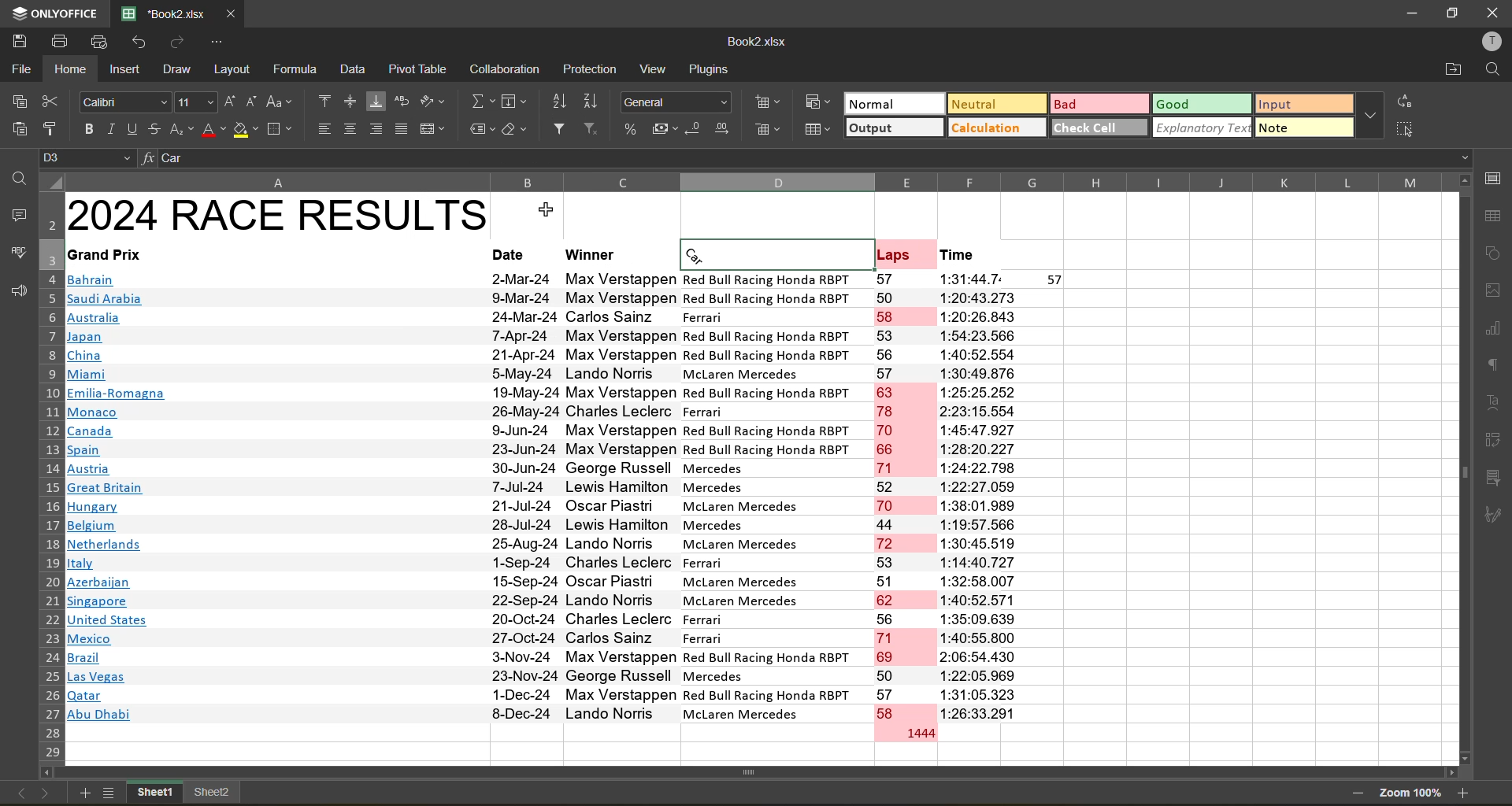 This screenshot has width=1512, height=806. Describe the element at coordinates (1100, 130) in the screenshot. I see `check cell` at that location.